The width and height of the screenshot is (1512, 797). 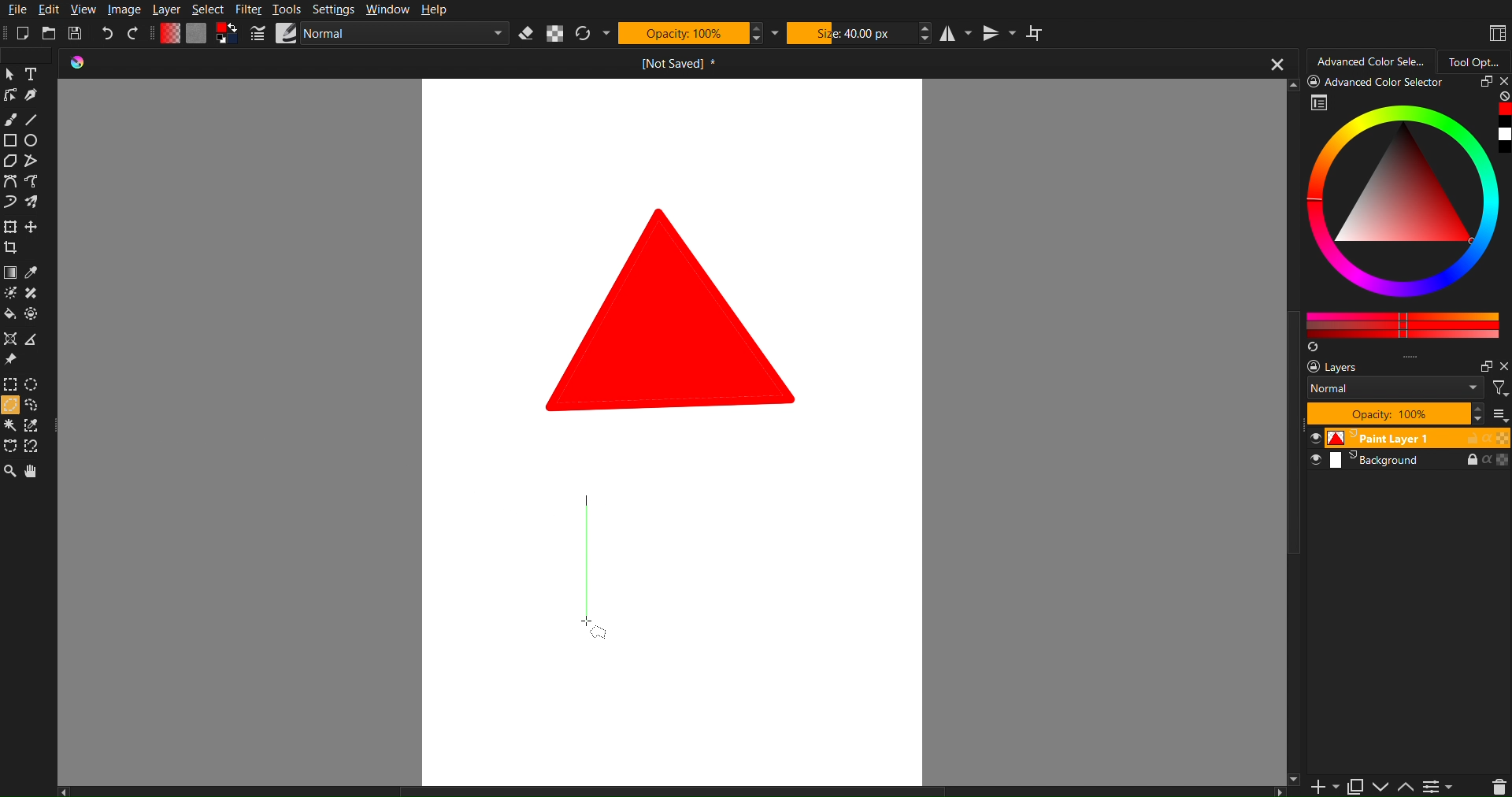 I want to click on Select, so click(x=209, y=9).